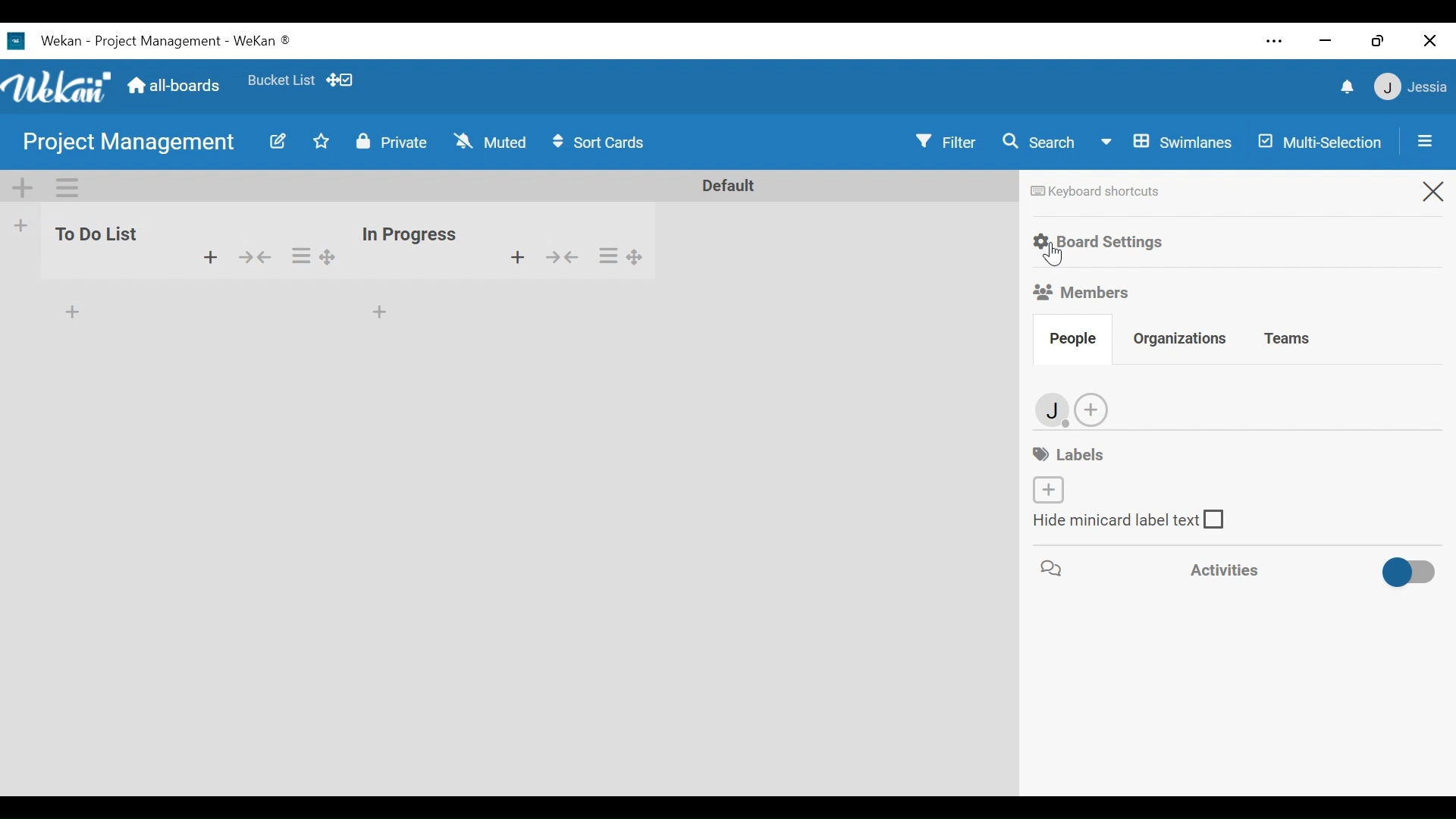 This screenshot has height=819, width=1456. What do you see at coordinates (22, 224) in the screenshot?
I see `Add list` at bounding box center [22, 224].